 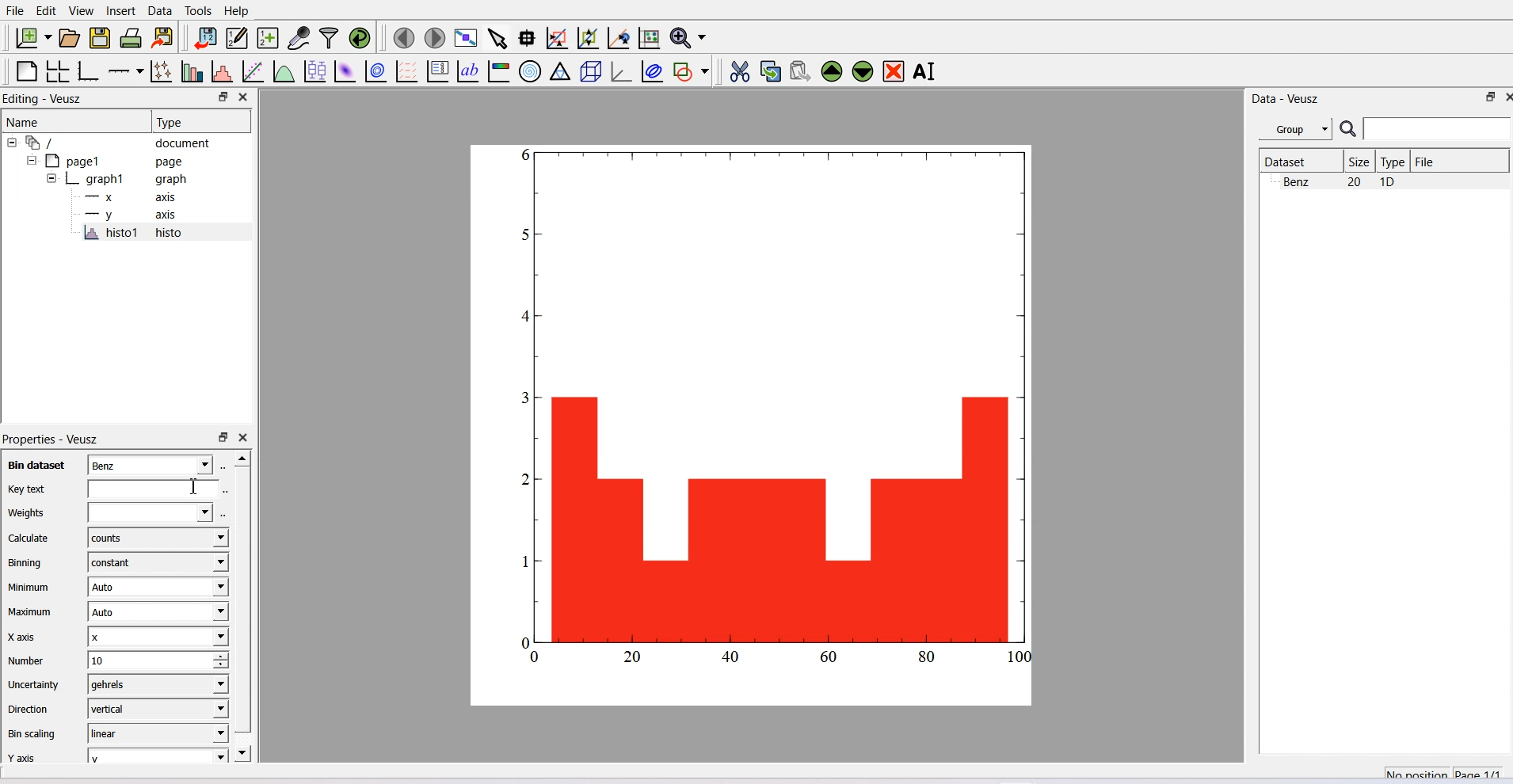 I want to click on Search Bar, so click(x=1426, y=128).